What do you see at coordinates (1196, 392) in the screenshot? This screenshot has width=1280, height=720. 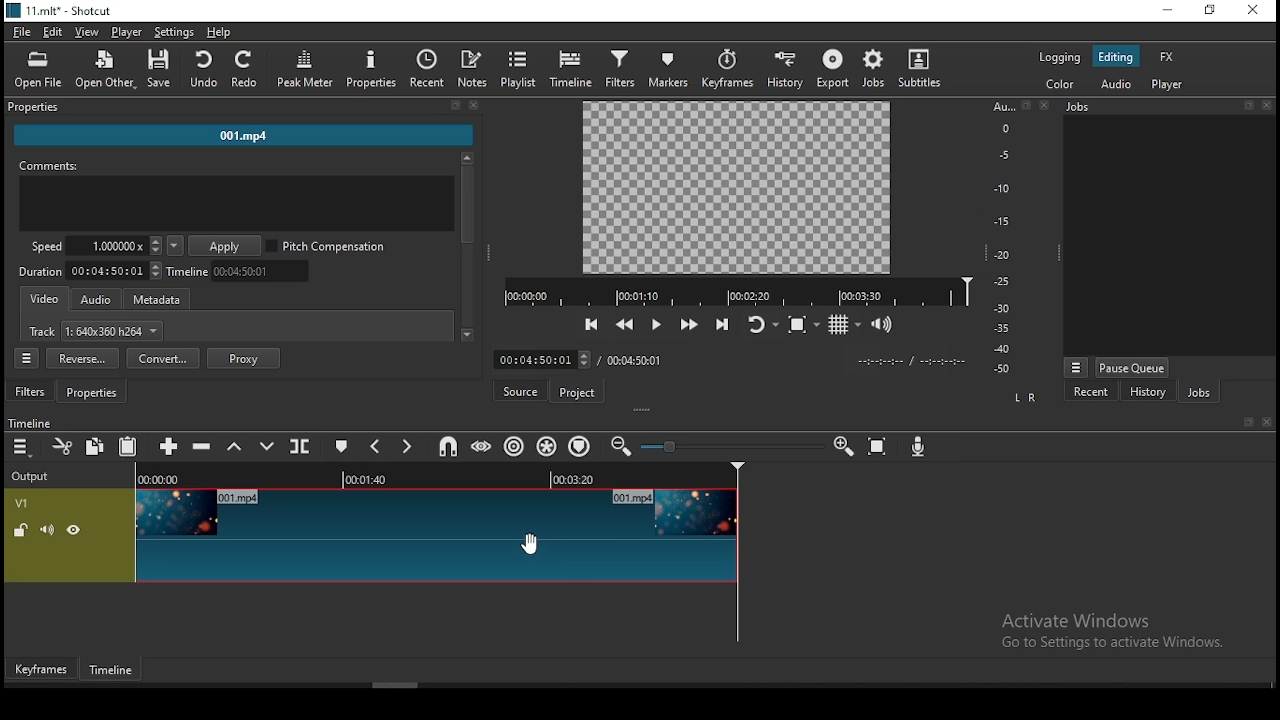 I see `jobs` at bounding box center [1196, 392].